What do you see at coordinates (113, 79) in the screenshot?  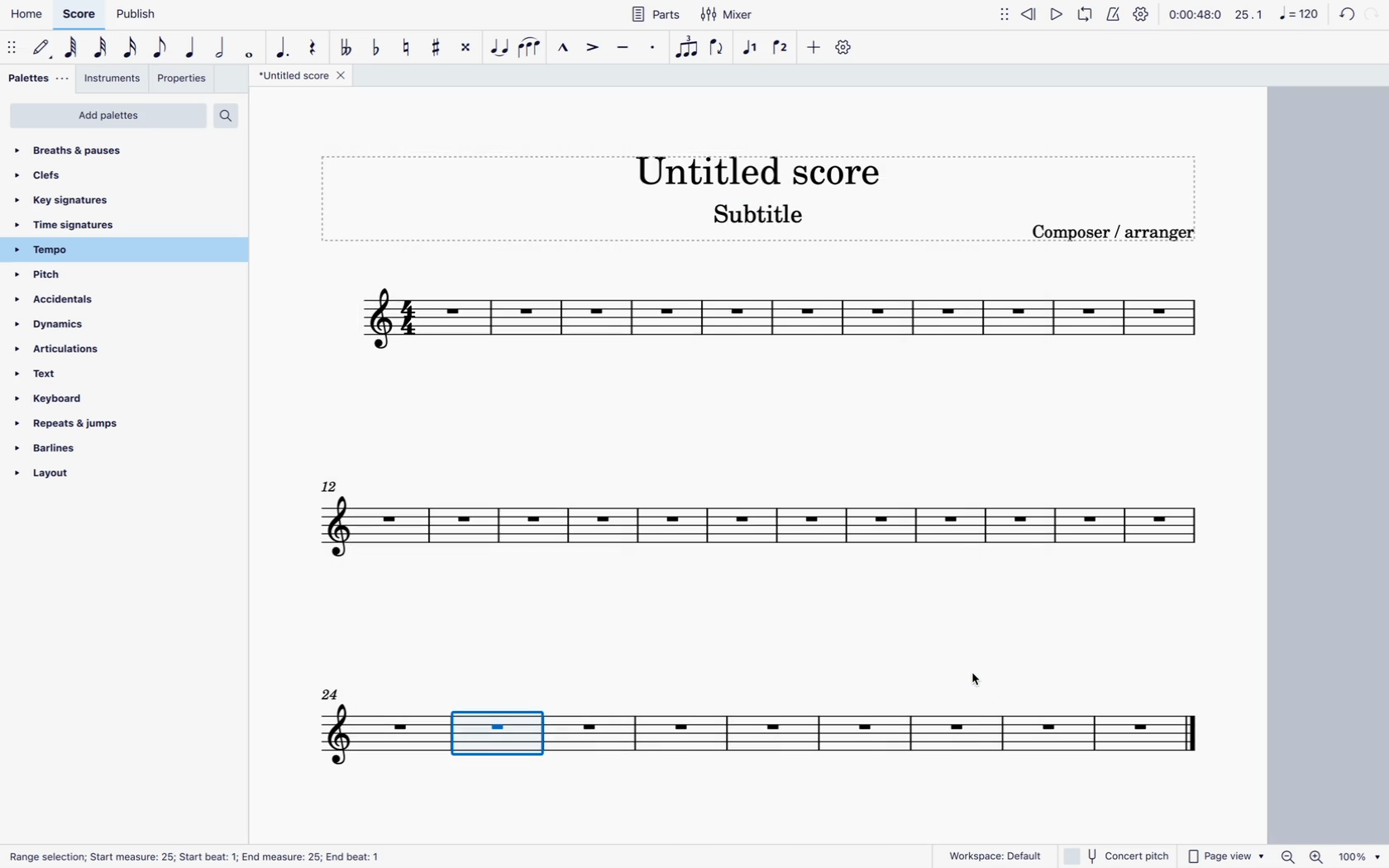 I see `instruments` at bounding box center [113, 79].